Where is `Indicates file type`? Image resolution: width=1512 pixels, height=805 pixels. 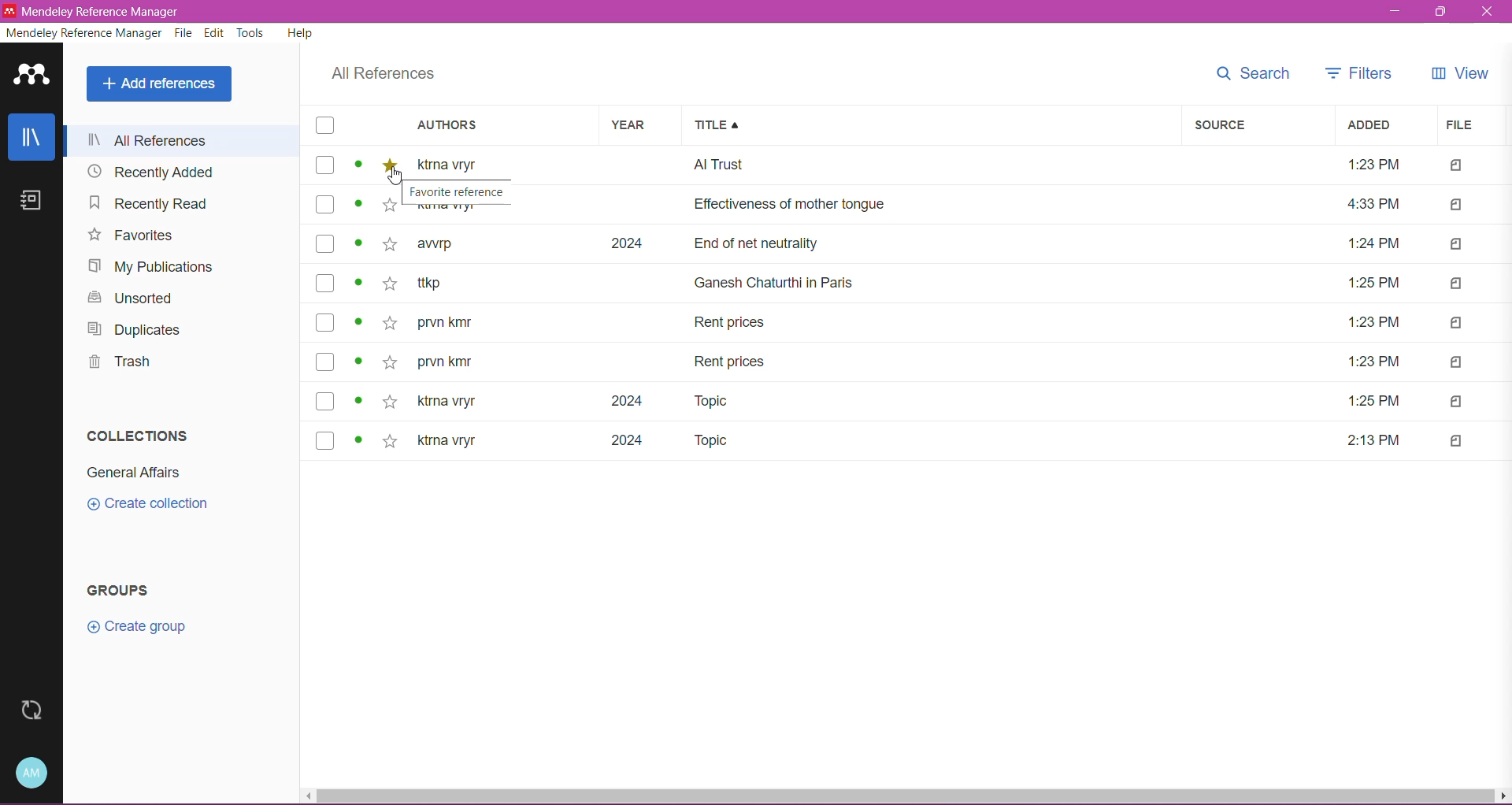 Indicates file type is located at coordinates (1457, 362).